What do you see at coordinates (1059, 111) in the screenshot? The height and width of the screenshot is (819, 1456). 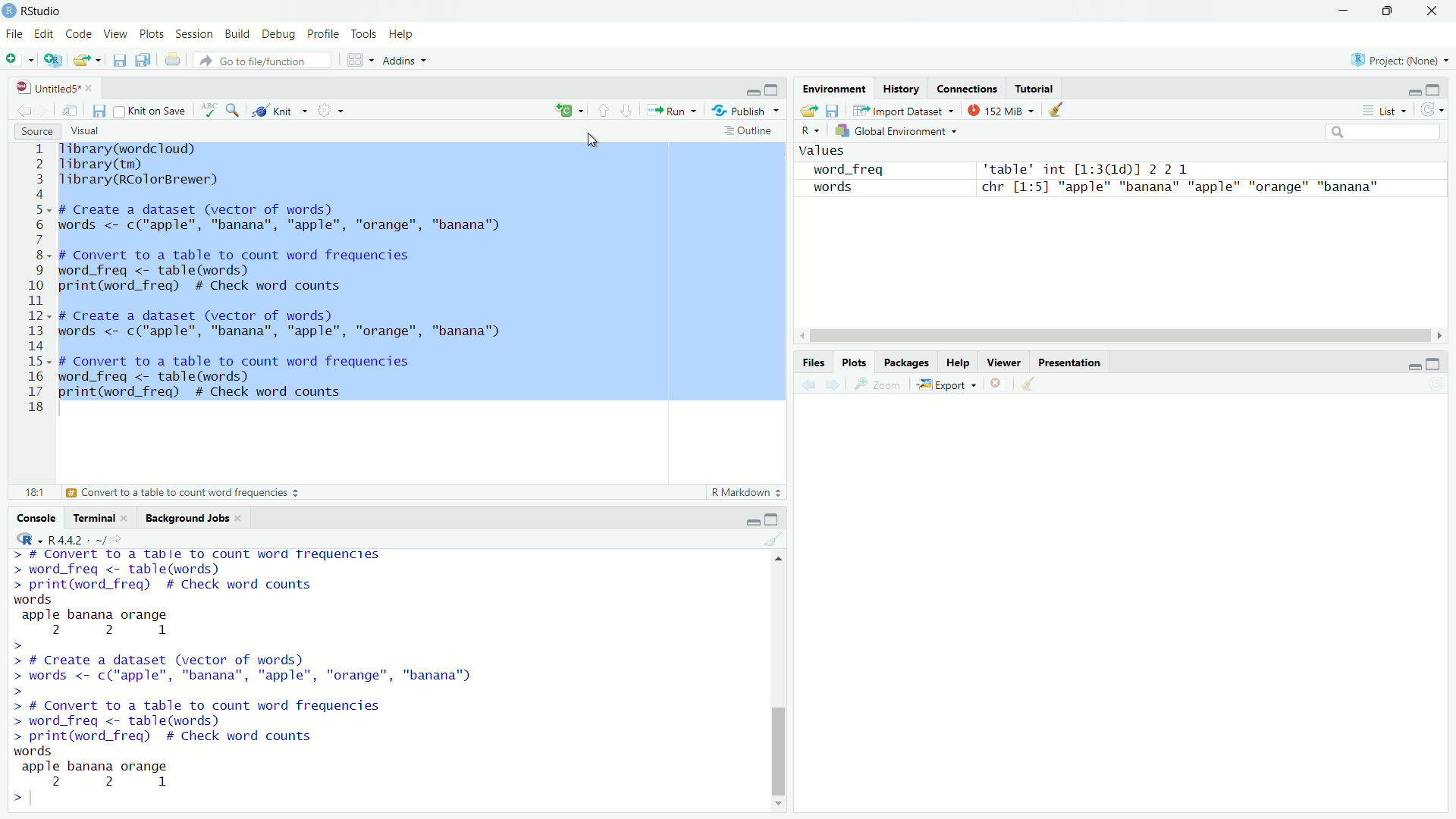 I see `Clear console` at bounding box center [1059, 111].